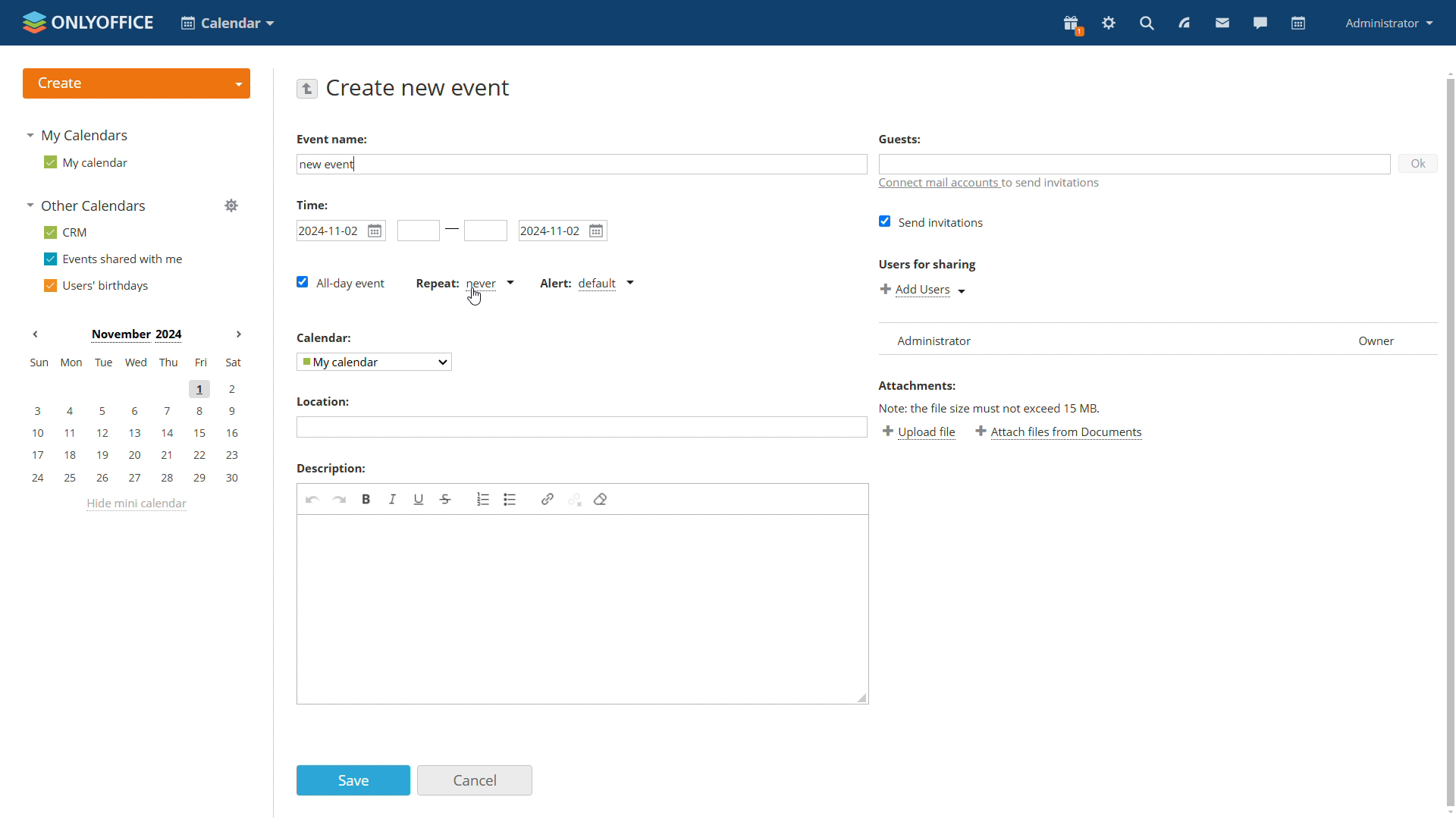 This screenshot has height=819, width=1456. I want to click on undo, so click(312, 499).